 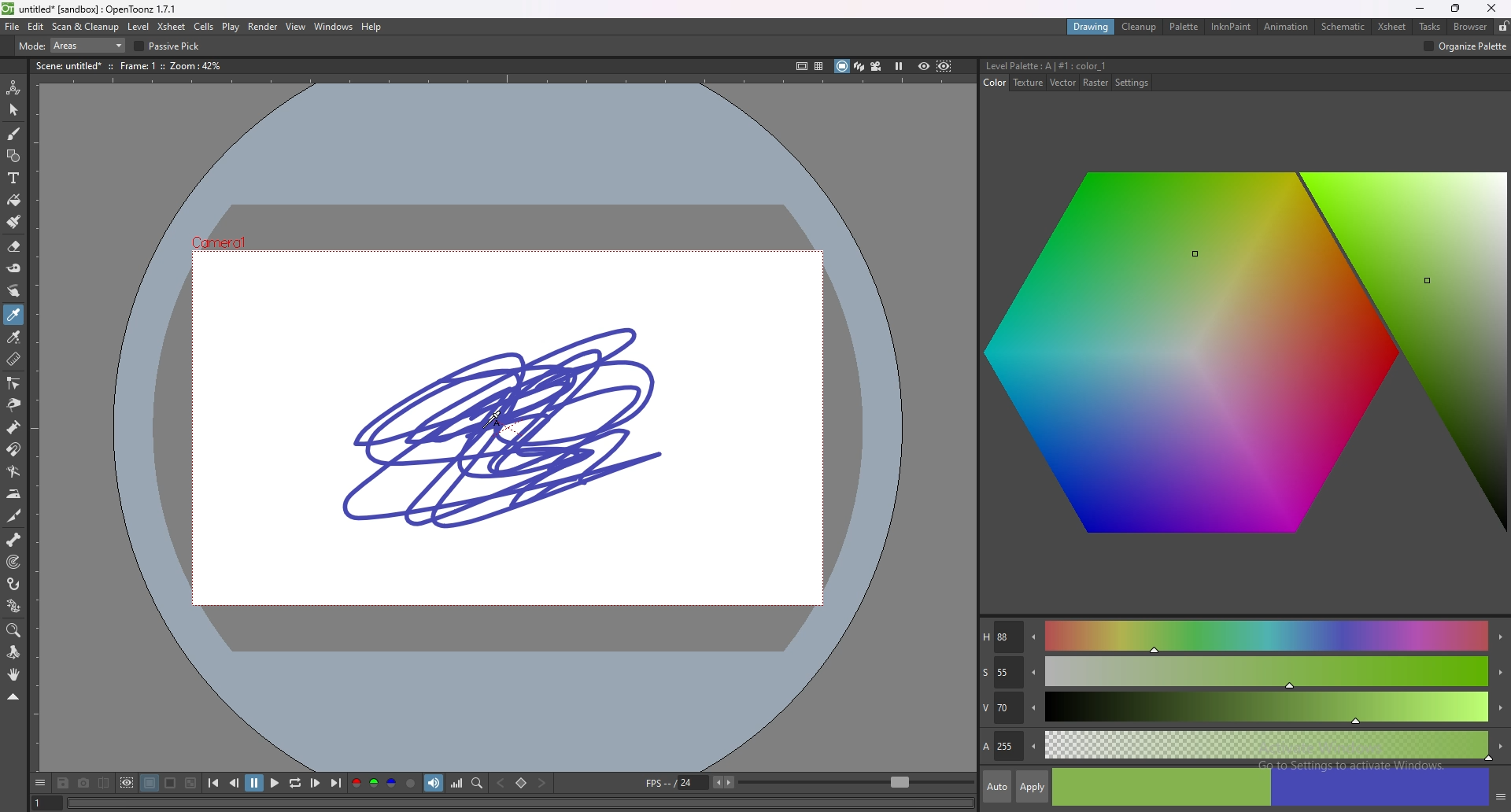 What do you see at coordinates (15, 221) in the screenshot?
I see `paintbrush tool` at bounding box center [15, 221].